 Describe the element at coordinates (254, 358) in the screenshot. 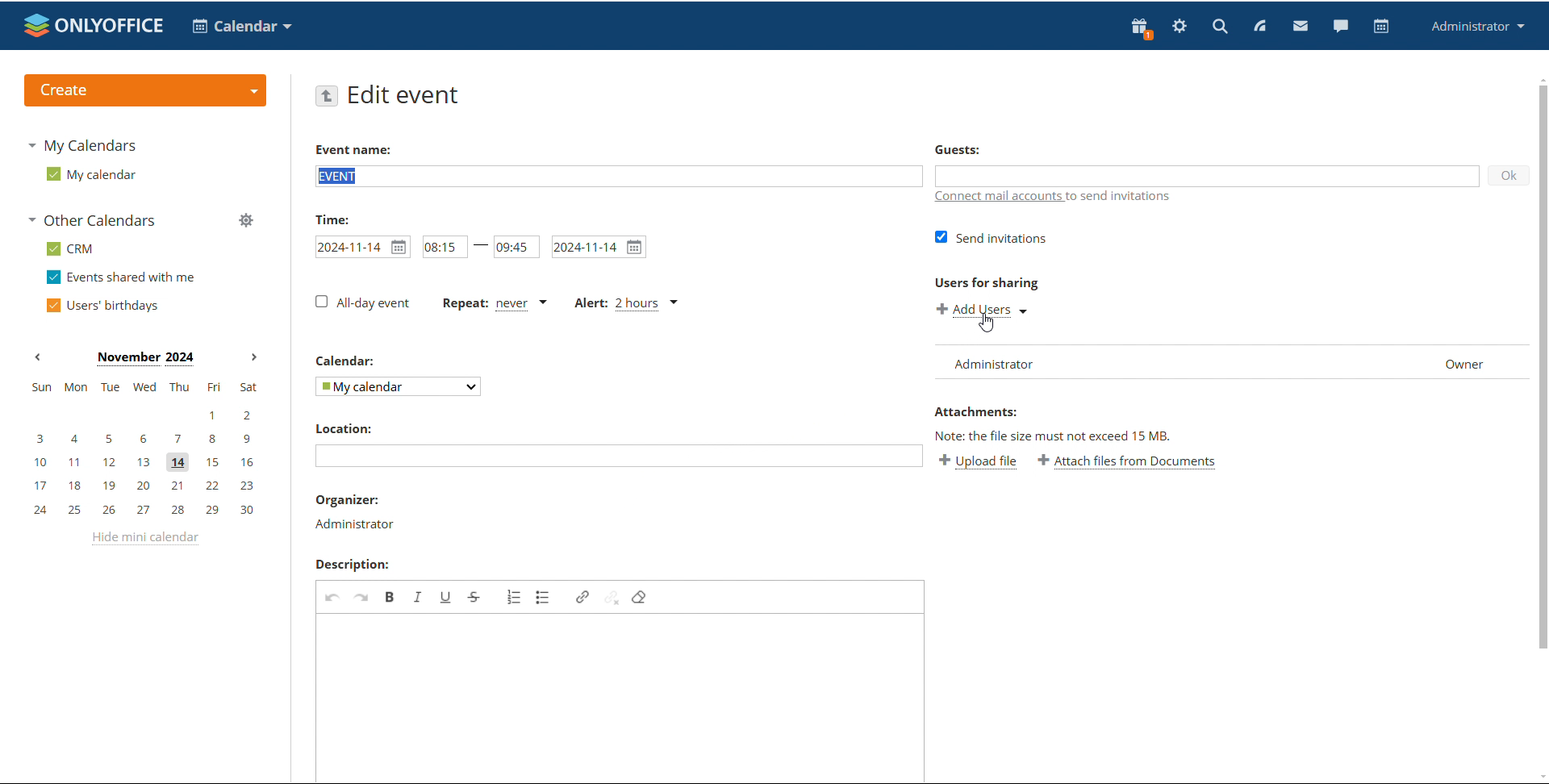

I see `next month` at that location.